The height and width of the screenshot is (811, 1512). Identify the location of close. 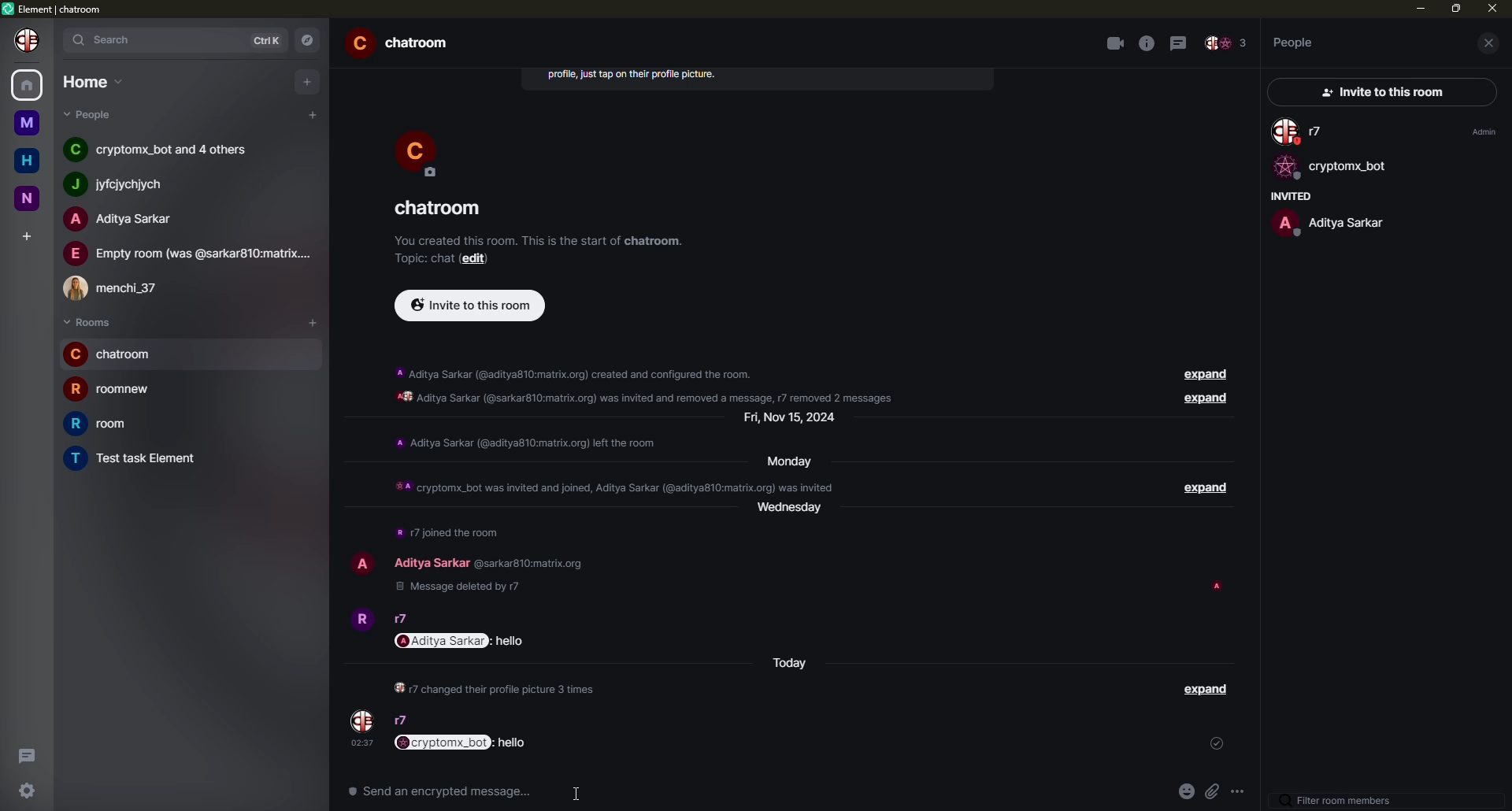
(1493, 43).